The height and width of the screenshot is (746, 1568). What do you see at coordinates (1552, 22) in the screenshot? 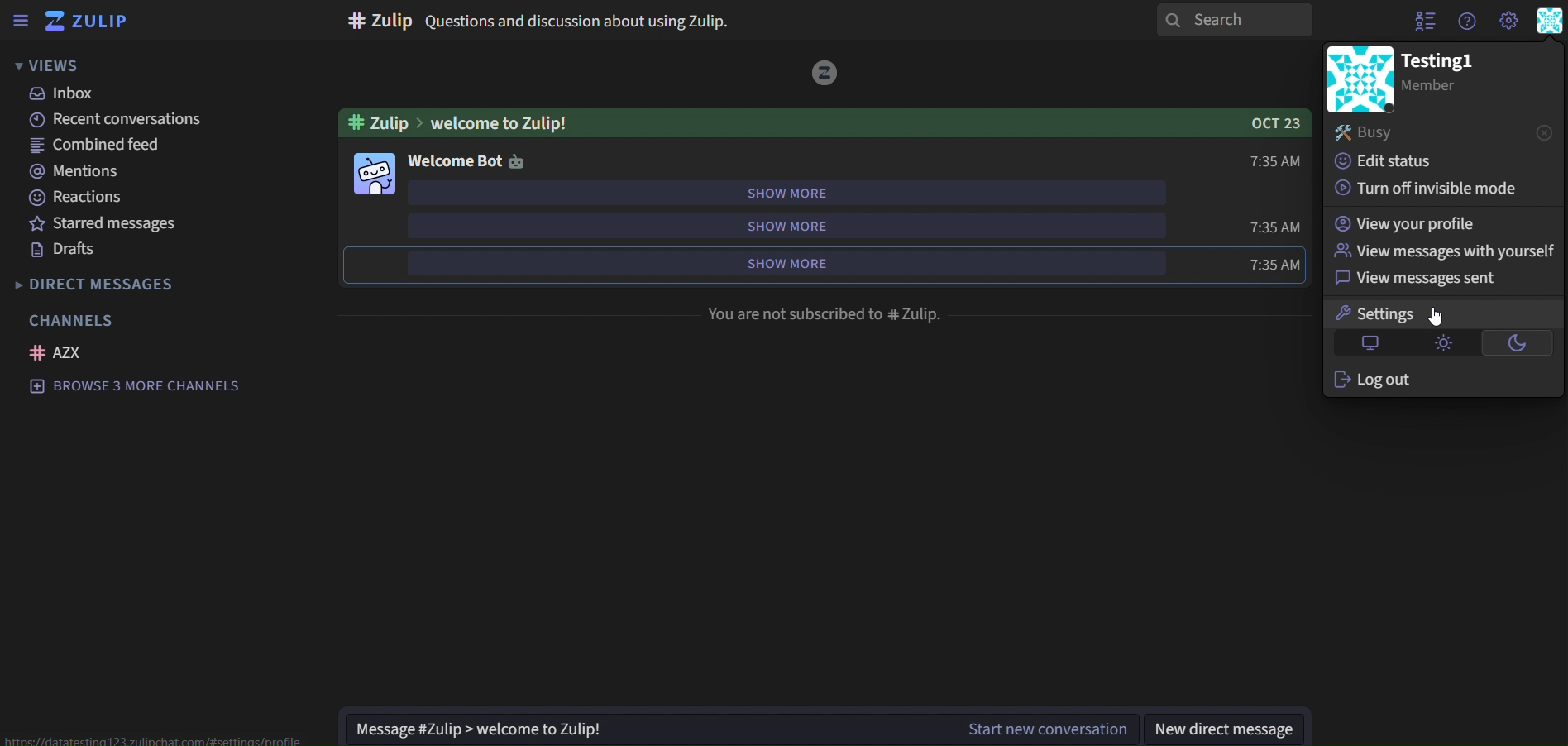
I see `User Information` at bounding box center [1552, 22].